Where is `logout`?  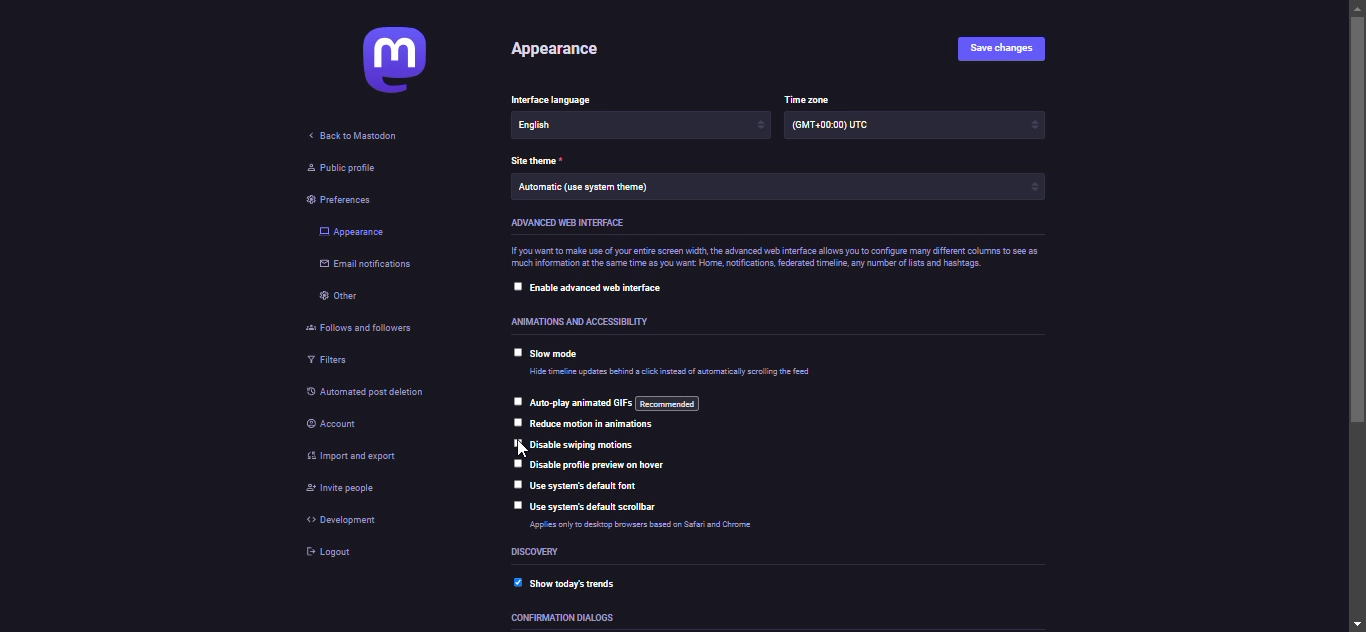
logout is located at coordinates (325, 553).